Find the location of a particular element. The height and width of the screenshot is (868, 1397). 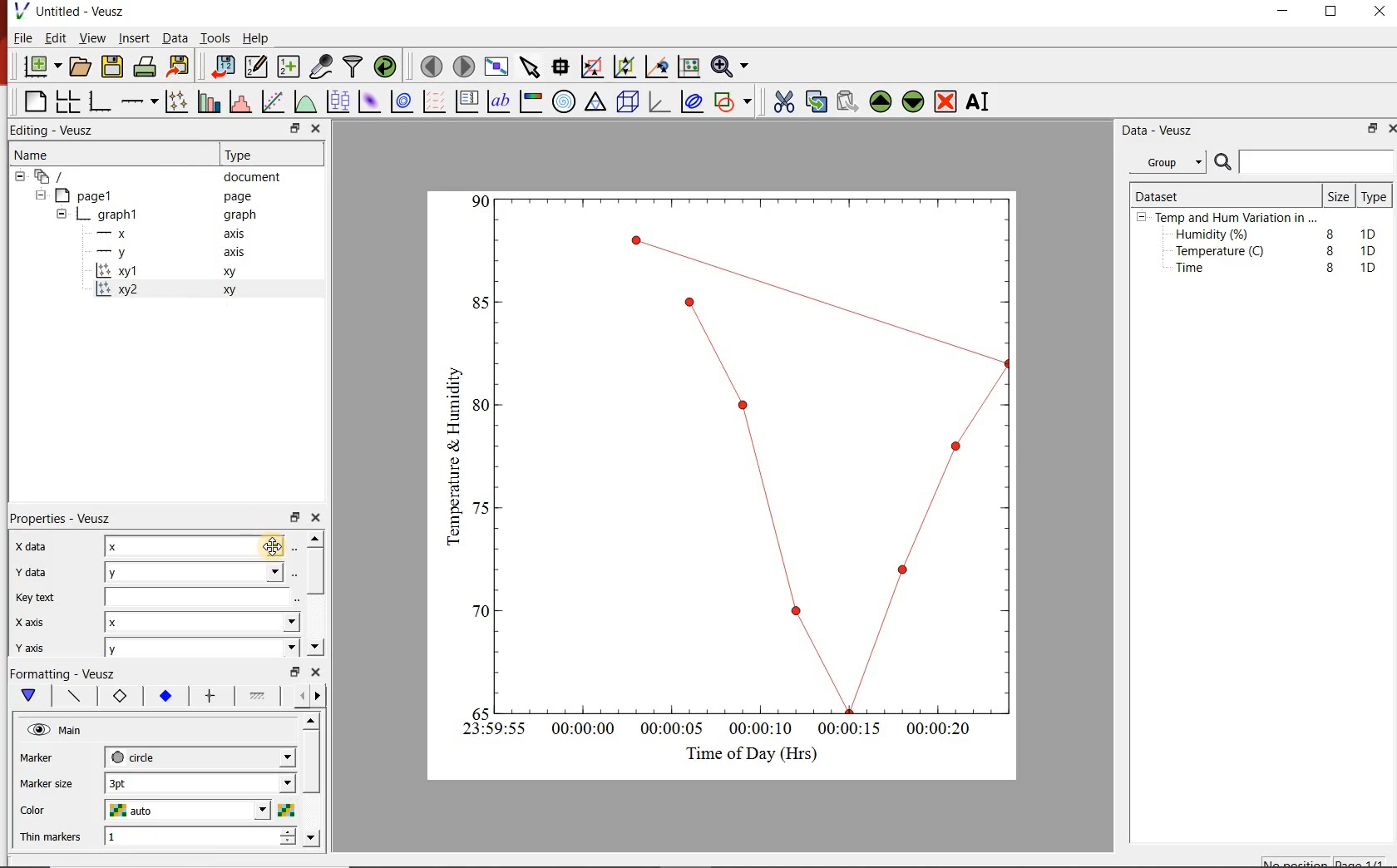

Main is located at coordinates (82, 732).